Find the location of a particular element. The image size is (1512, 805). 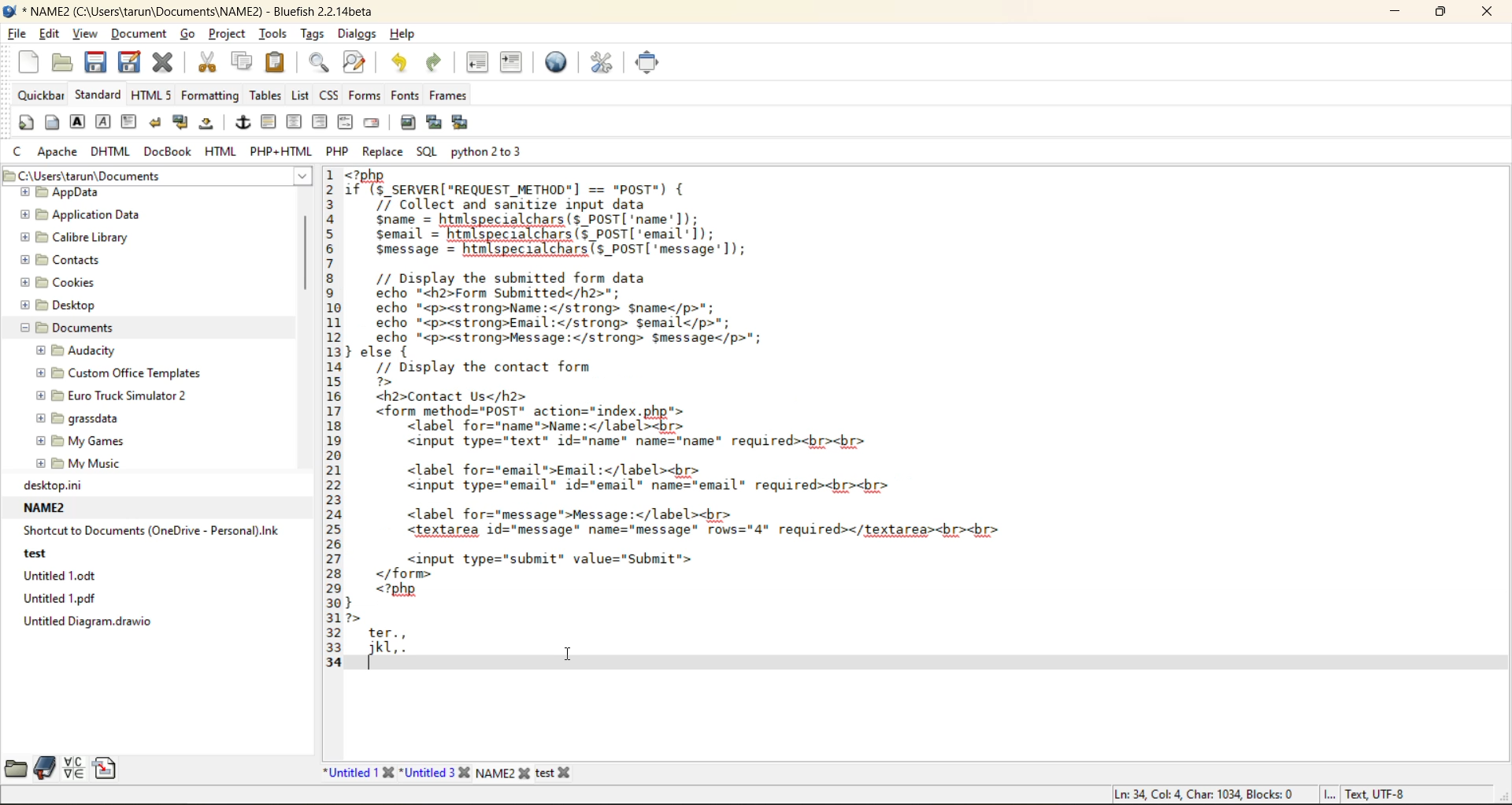

break and clear is located at coordinates (183, 123).